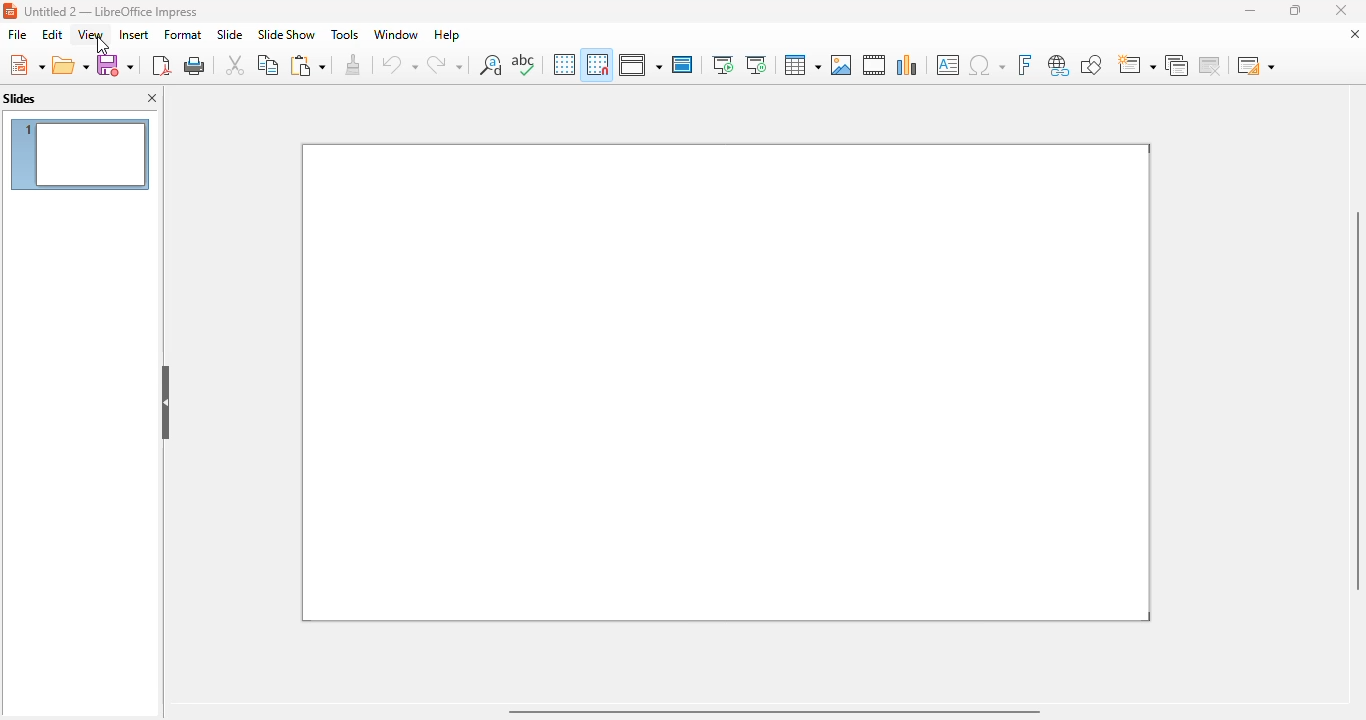  I want to click on table, so click(803, 65).